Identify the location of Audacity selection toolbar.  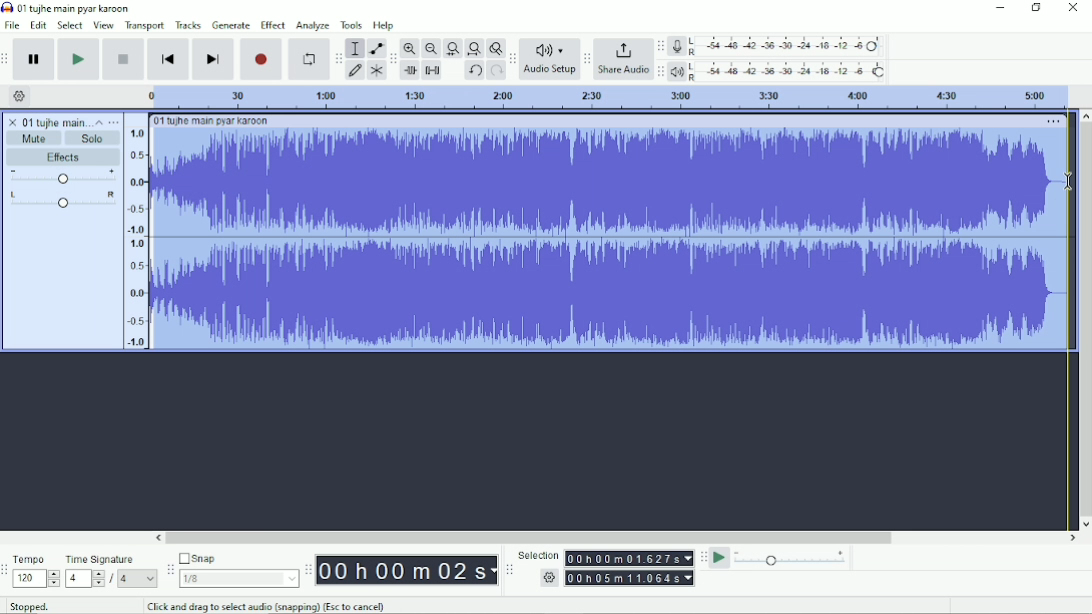
(509, 570).